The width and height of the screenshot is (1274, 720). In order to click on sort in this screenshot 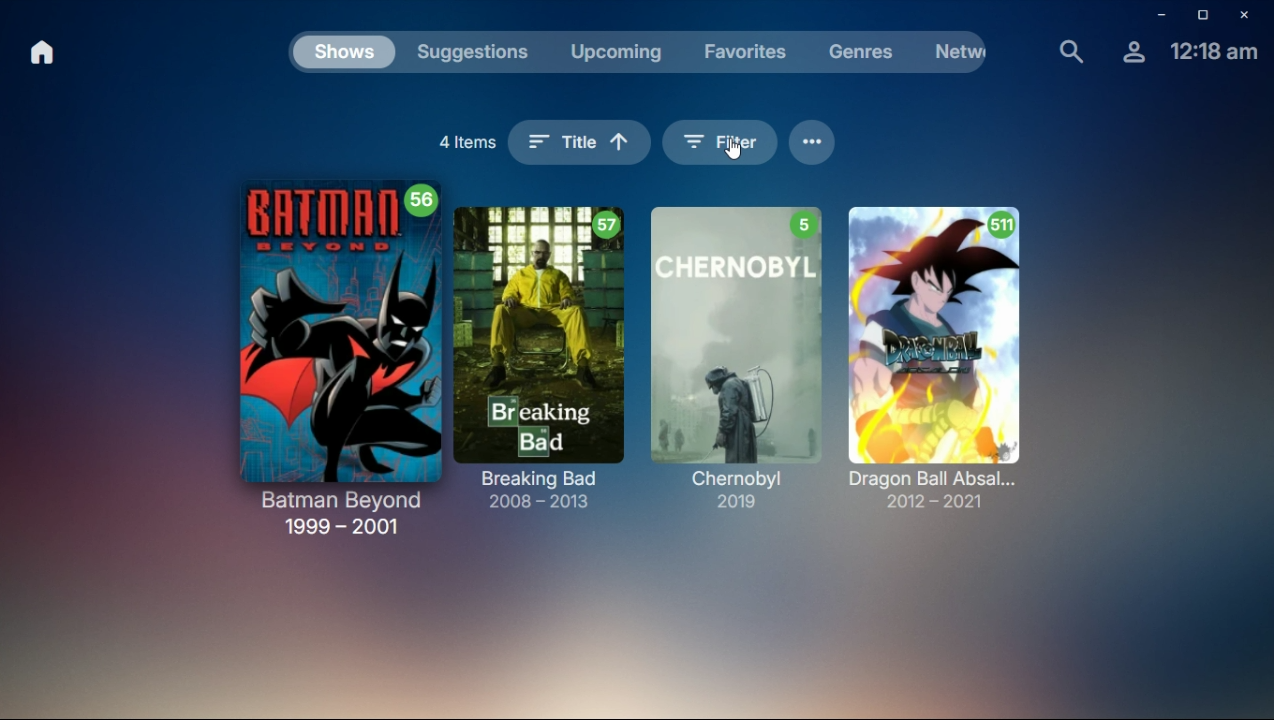, I will do `click(577, 143)`.